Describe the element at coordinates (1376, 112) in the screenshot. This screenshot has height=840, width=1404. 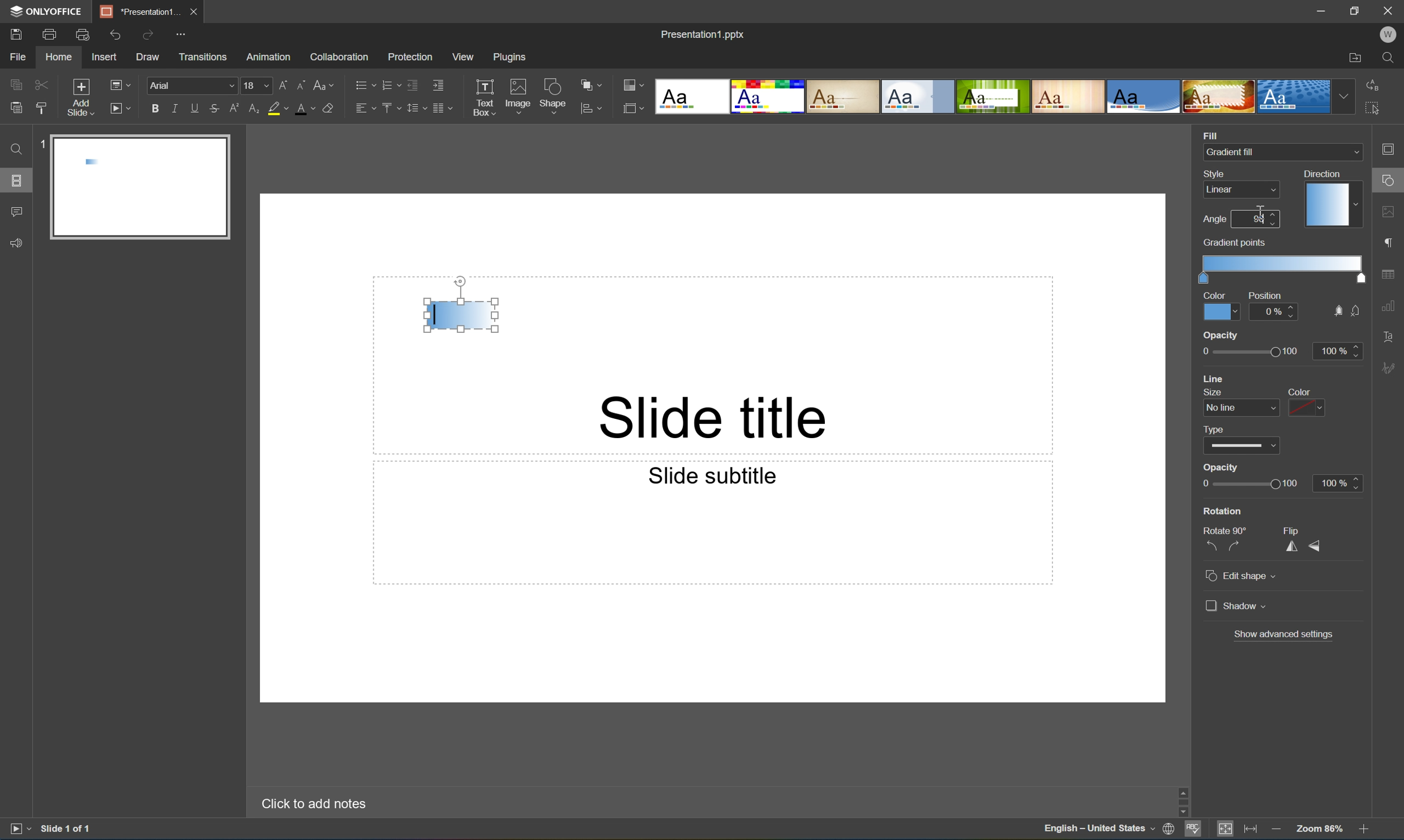
I see `Select all` at that location.